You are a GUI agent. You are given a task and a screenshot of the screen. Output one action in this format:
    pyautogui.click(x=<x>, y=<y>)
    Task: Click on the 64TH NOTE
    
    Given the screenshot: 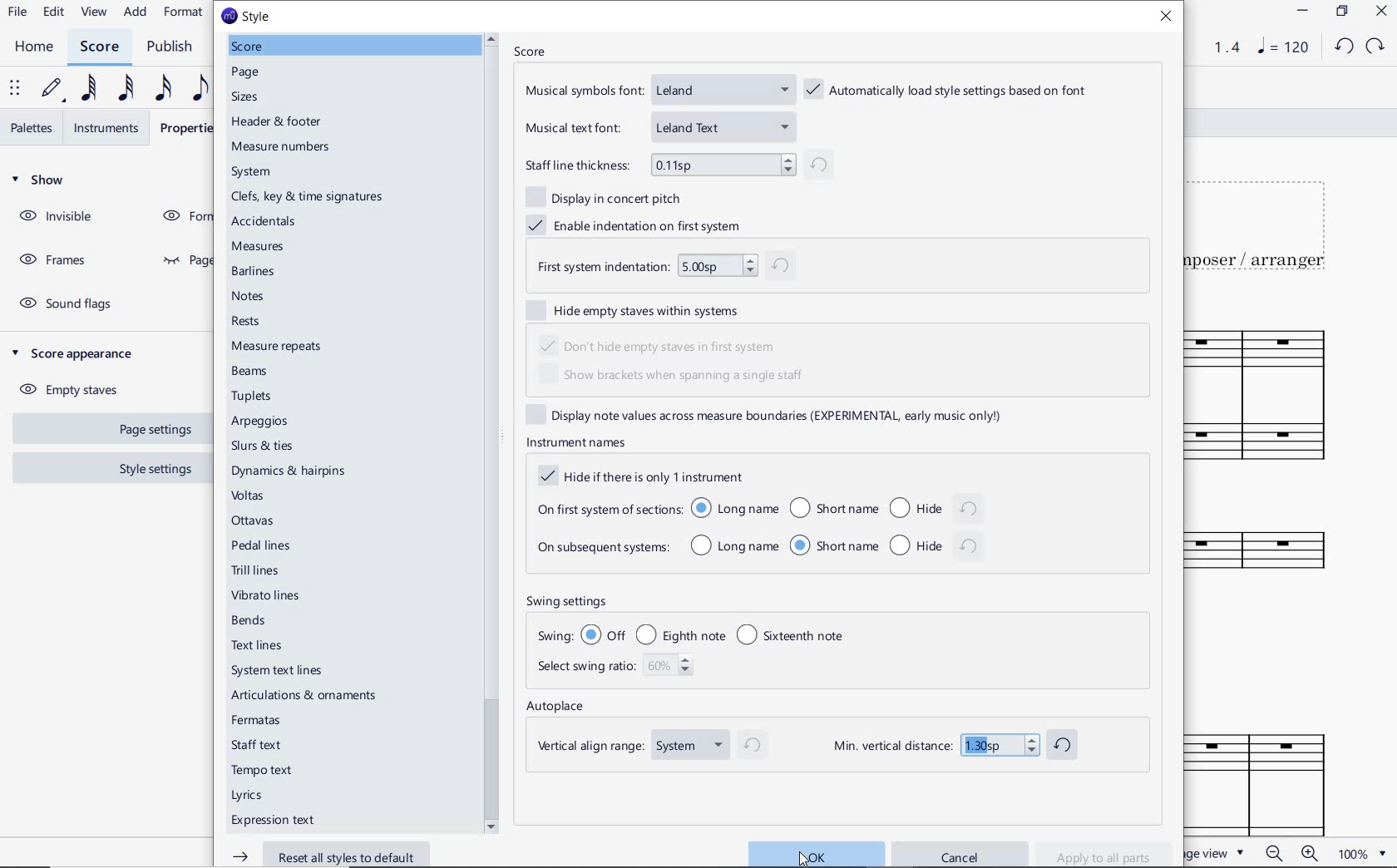 What is the action you would take?
    pyautogui.click(x=91, y=88)
    